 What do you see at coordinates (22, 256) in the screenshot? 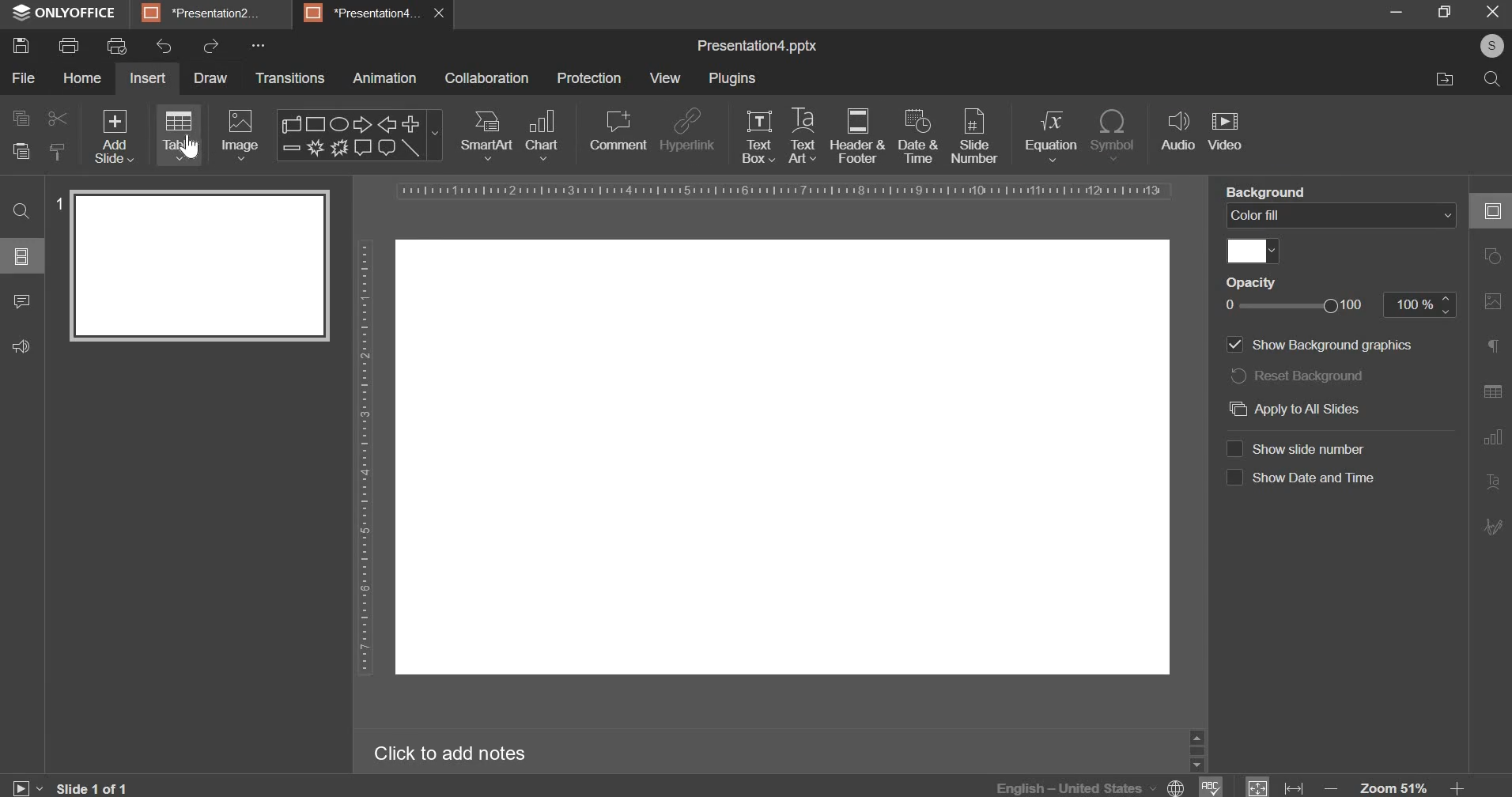
I see `slides` at bounding box center [22, 256].